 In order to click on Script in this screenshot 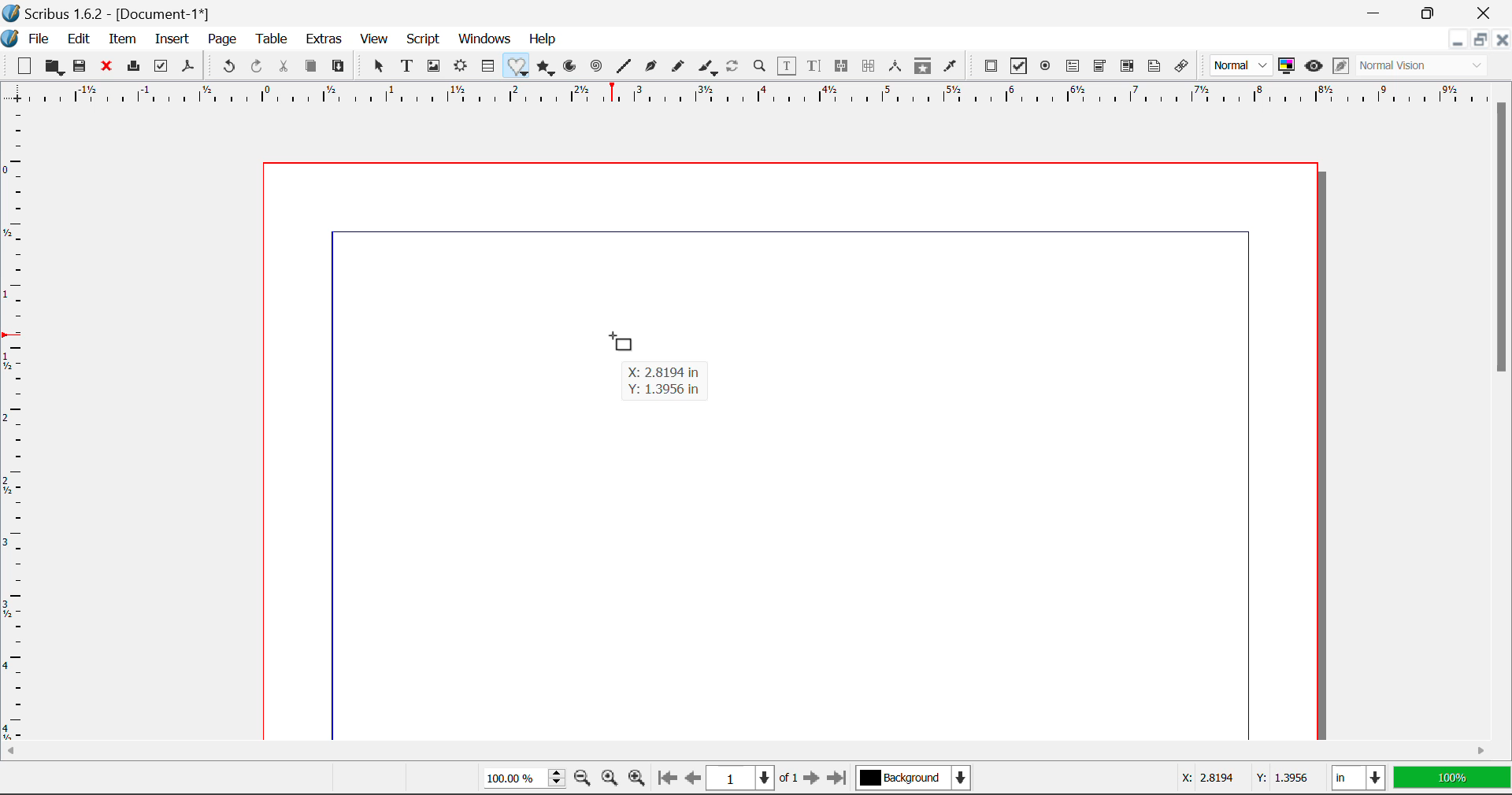, I will do `click(422, 41)`.